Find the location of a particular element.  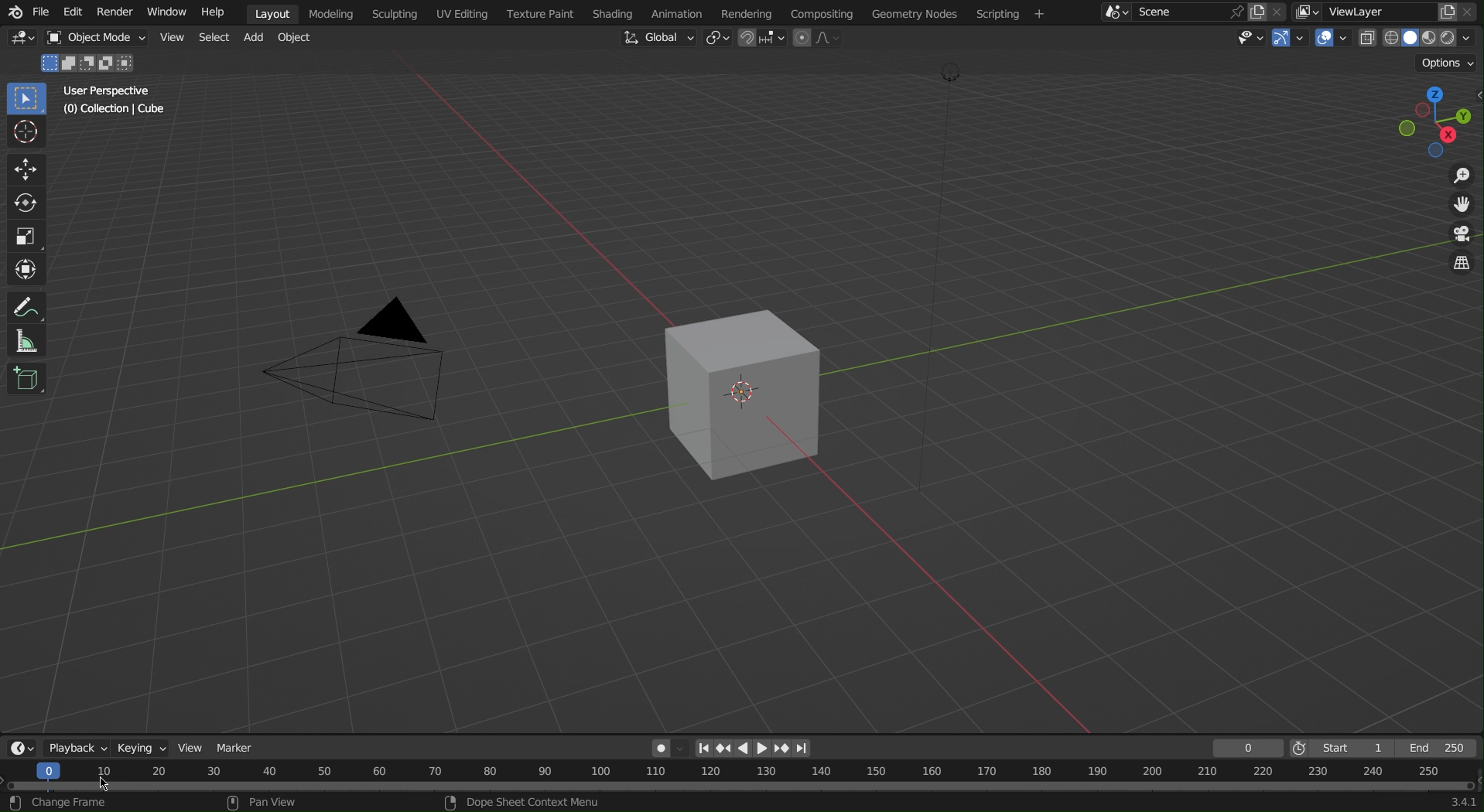

cursor is located at coordinates (108, 783).